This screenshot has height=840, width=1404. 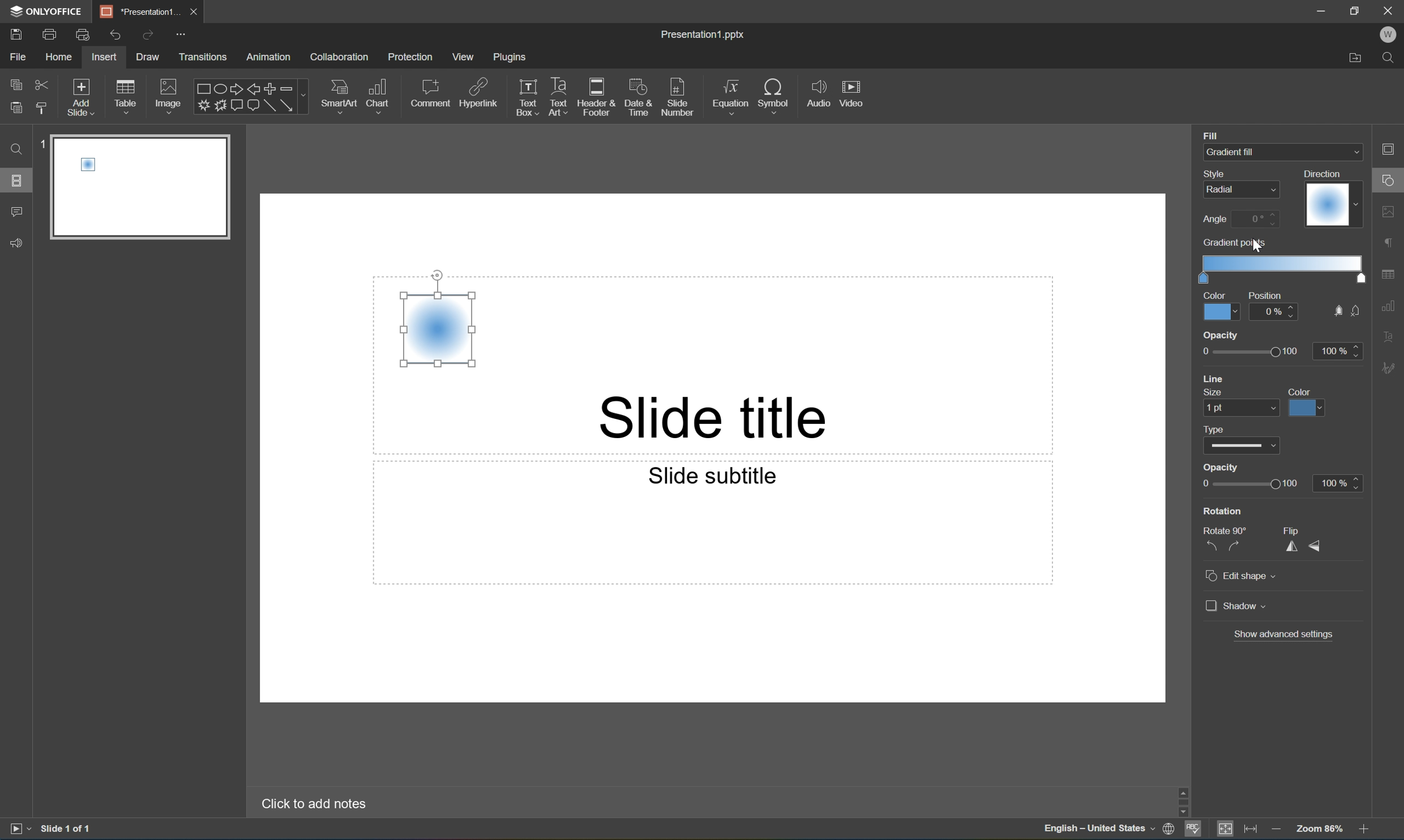 I want to click on Close, so click(x=192, y=12).